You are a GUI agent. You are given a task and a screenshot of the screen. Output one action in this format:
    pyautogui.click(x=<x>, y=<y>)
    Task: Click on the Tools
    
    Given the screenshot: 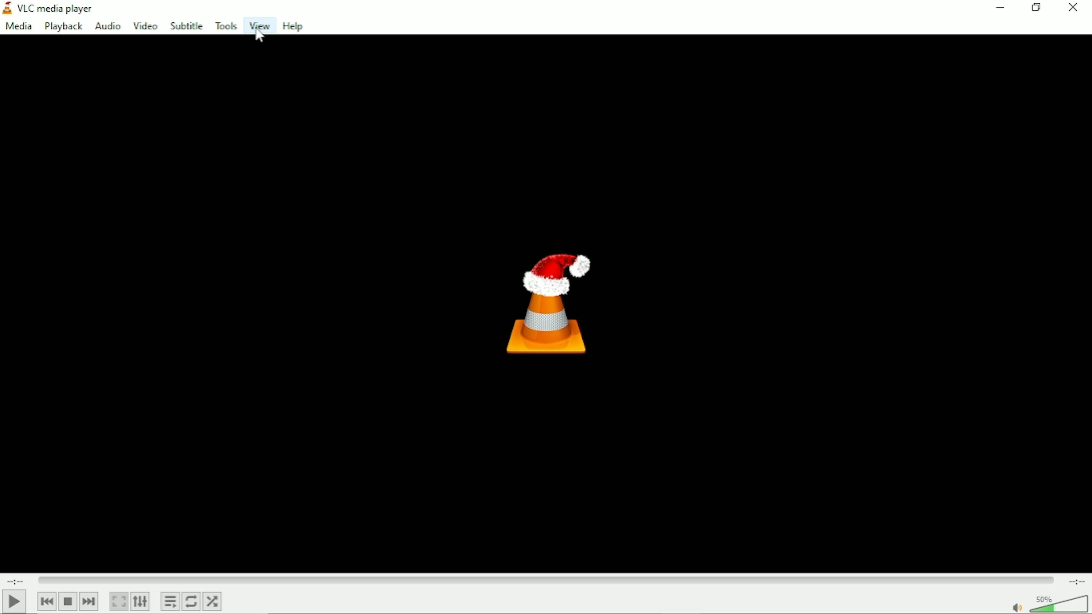 What is the action you would take?
    pyautogui.click(x=226, y=26)
    